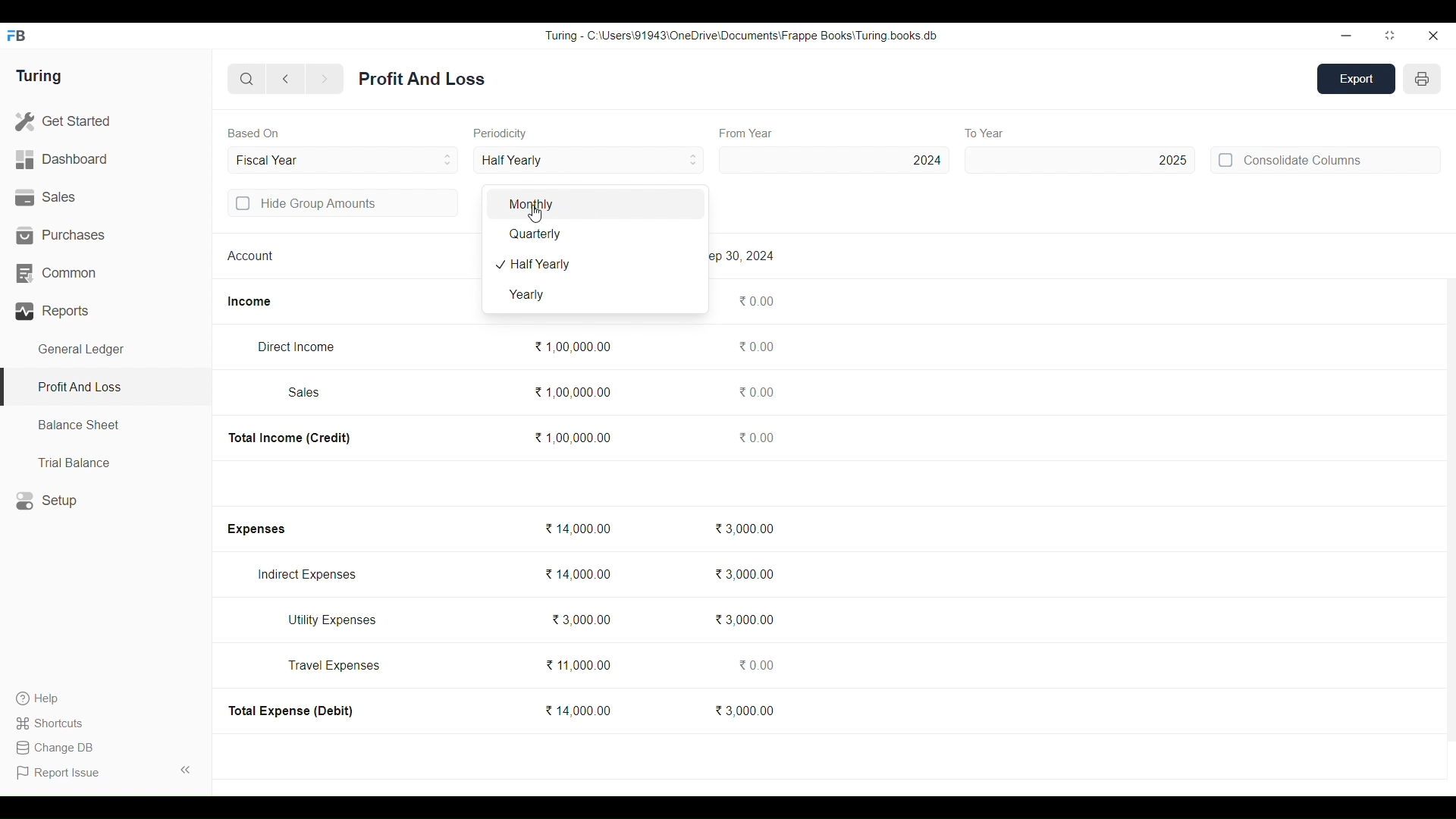  Describe the element at coordinates (745, 256) in the screenshot. I see `Sep 30, 2024` at that location.